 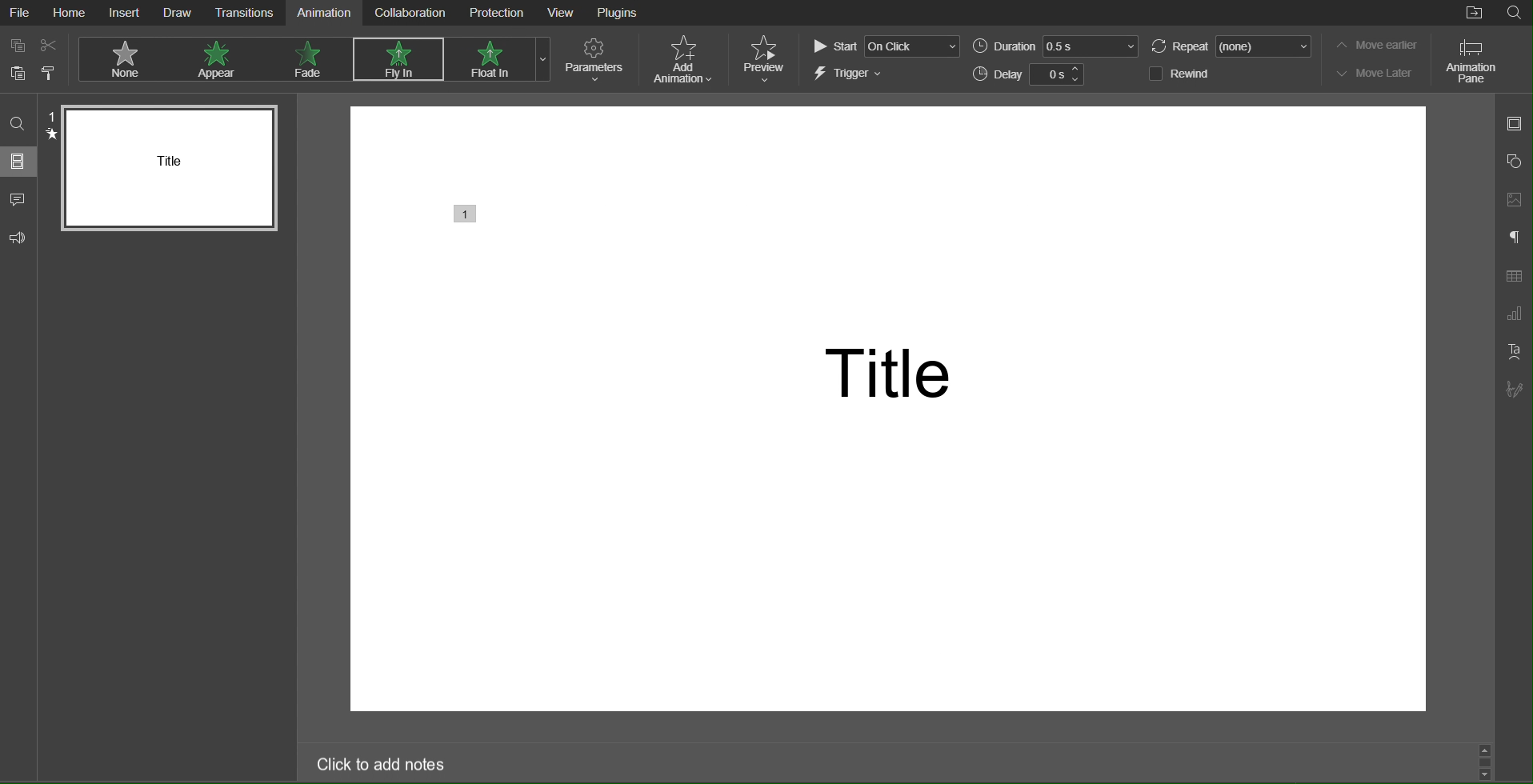 I want to click on File, so click(x=20, y=12).